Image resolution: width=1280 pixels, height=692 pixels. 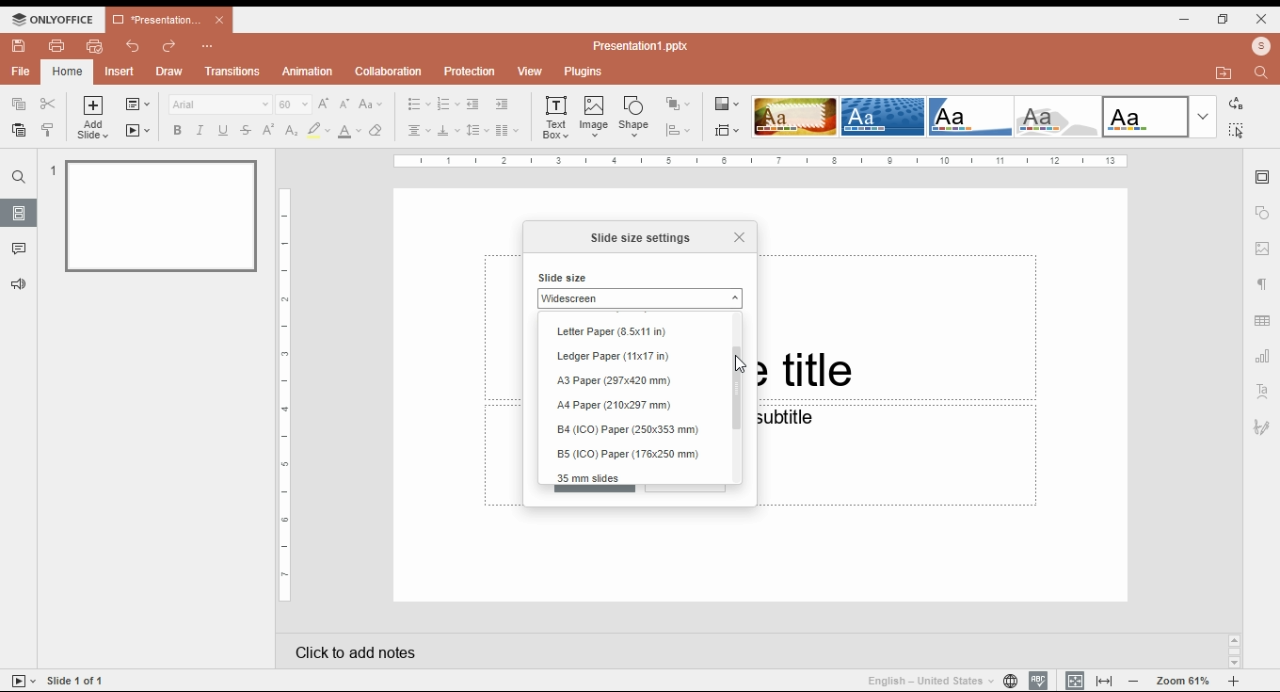 I want to click on B4 (ICO) Paper (250x353 mm), so click(x=633, y=431).